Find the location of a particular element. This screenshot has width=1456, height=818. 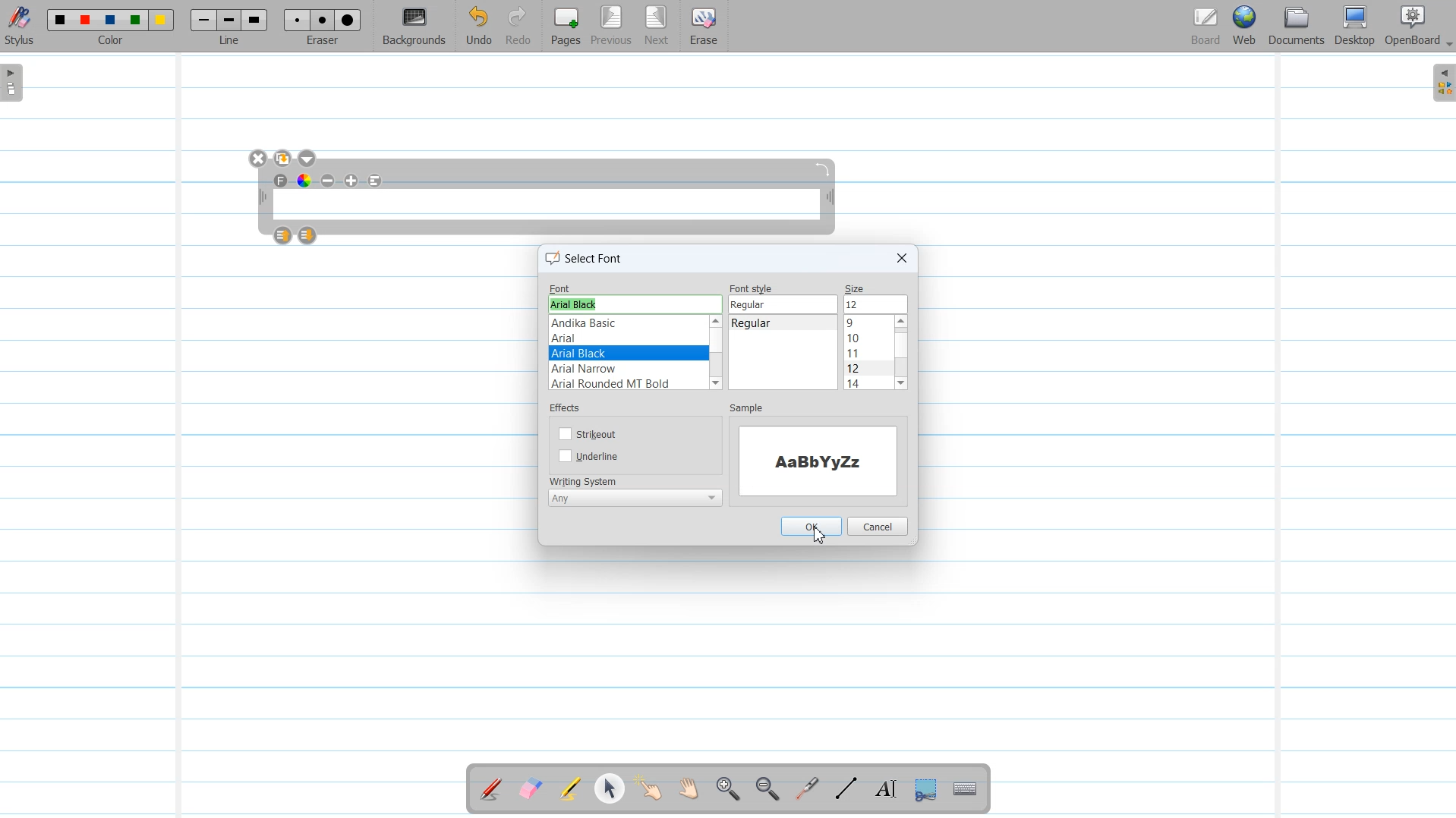

Background is located at coordinates (415, 27).